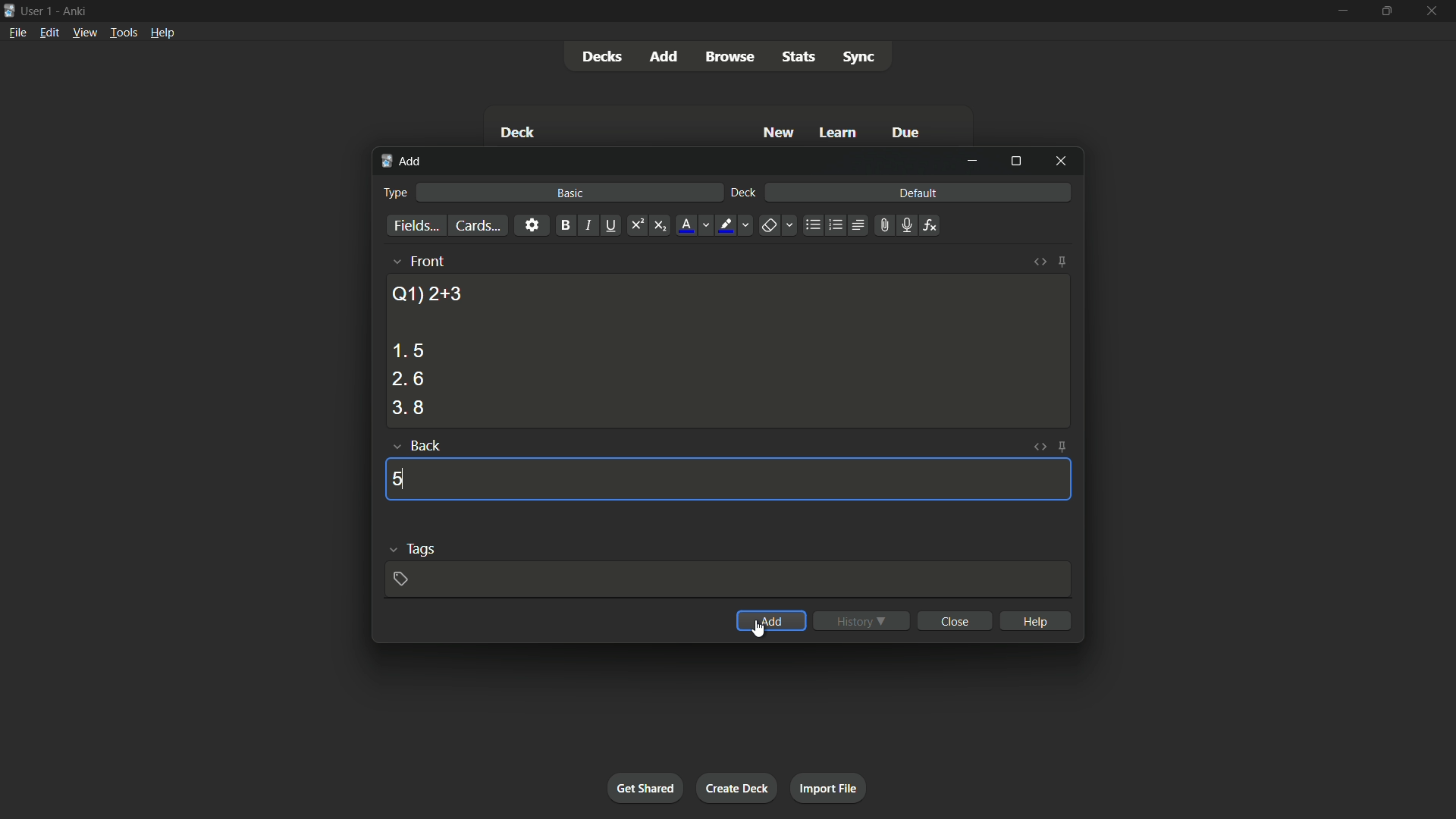 This screenshot has height=819, width=1456. I want to click on learn, so click(838, 133).